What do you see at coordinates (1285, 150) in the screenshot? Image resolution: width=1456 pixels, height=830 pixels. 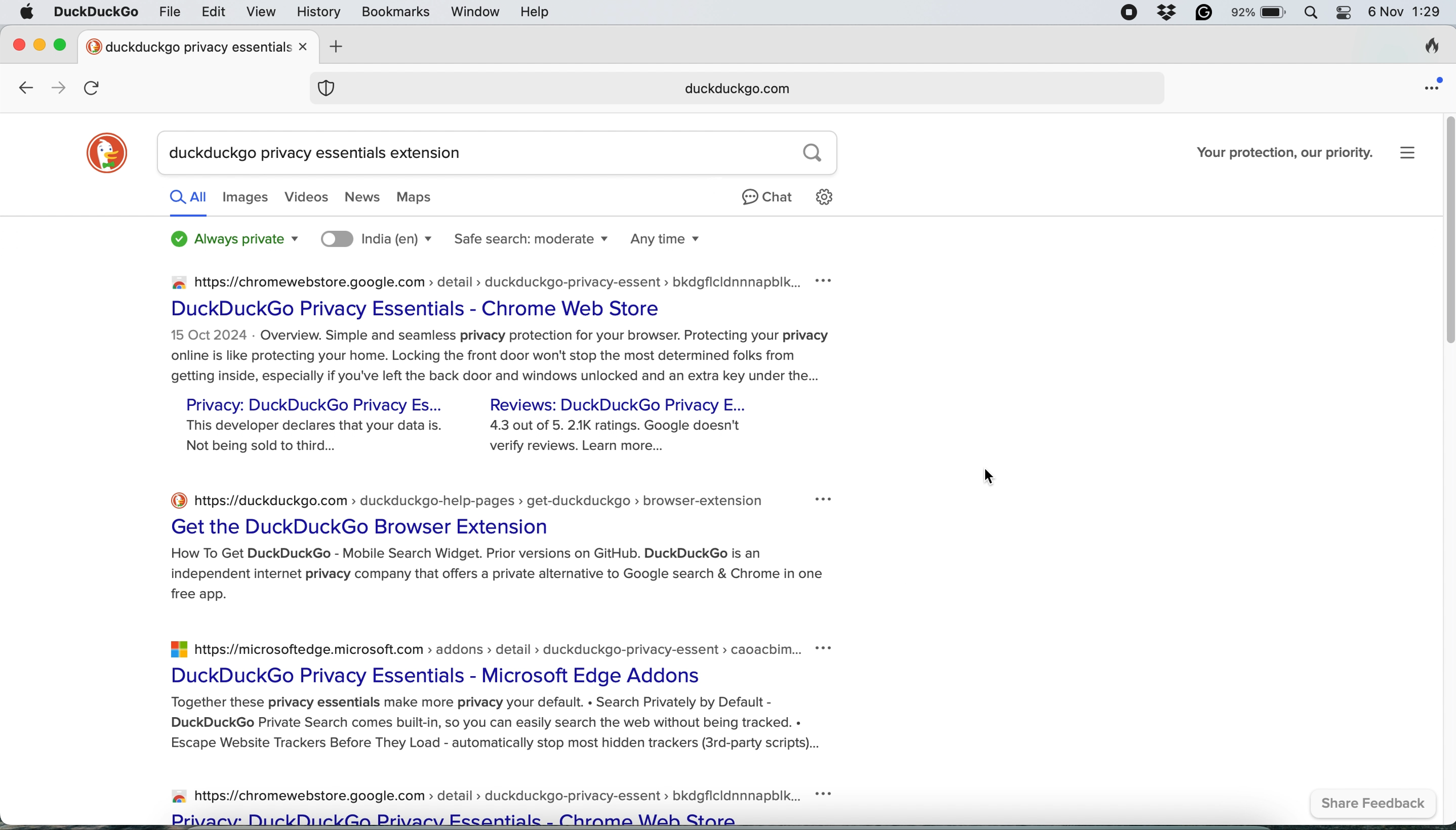 I see `Your protection, our priority.` at bounding box center [1285, 150].